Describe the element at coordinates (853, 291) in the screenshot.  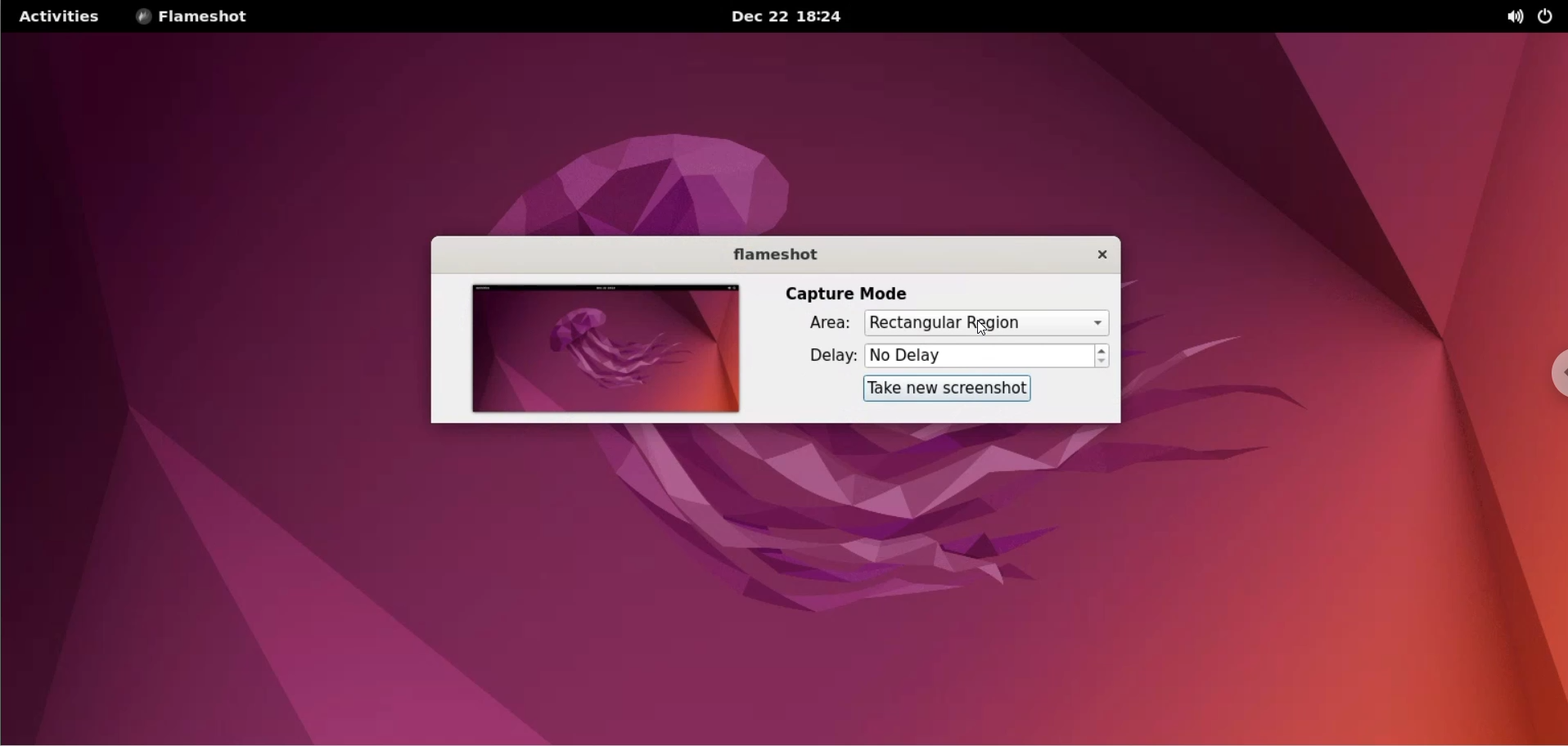
I see `capture mode ` at that location.